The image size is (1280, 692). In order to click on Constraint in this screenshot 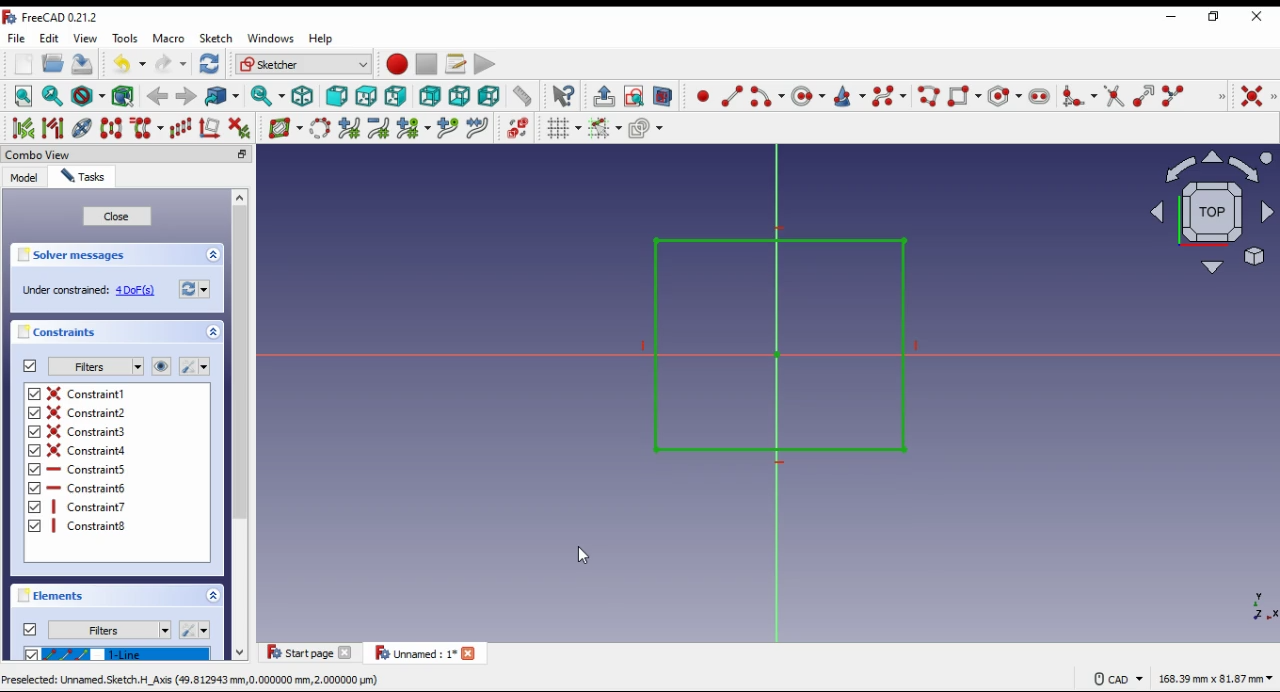, I will do `click(91, 526)`.